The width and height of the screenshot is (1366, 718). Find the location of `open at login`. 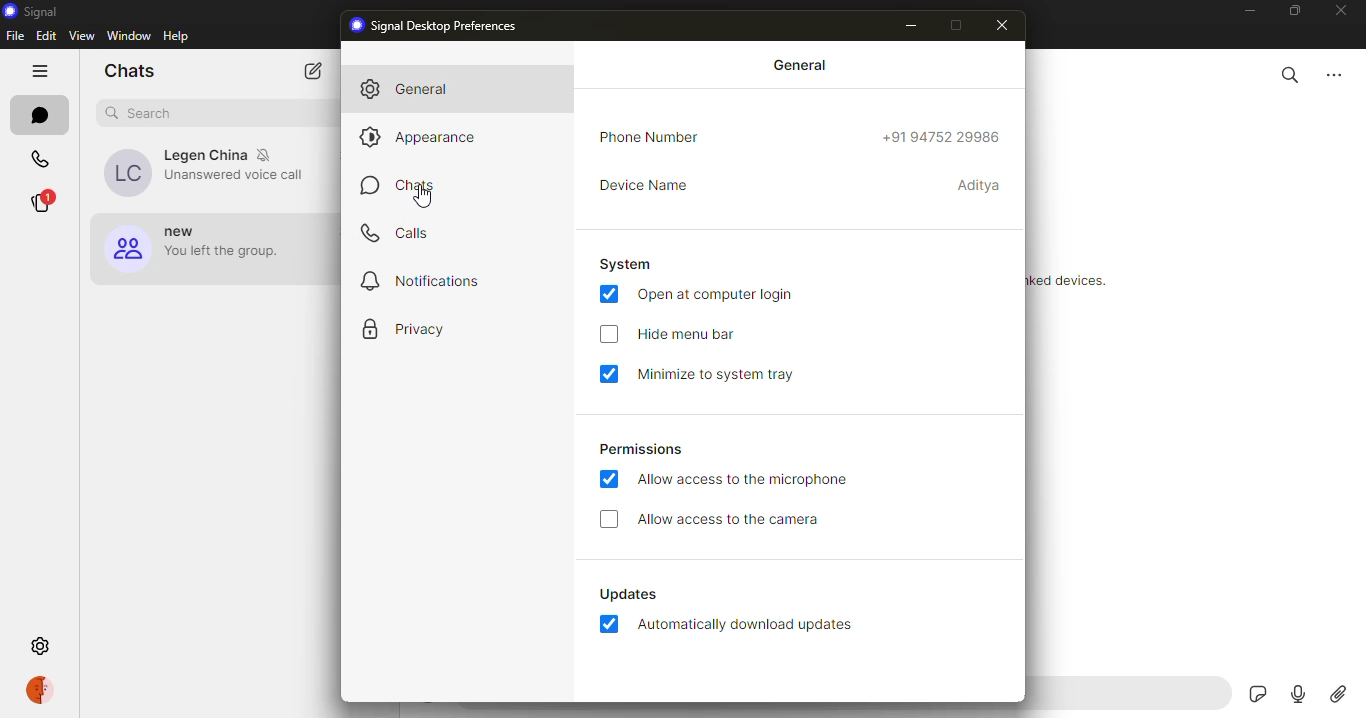

open at login is located at coordinates (713, 293).